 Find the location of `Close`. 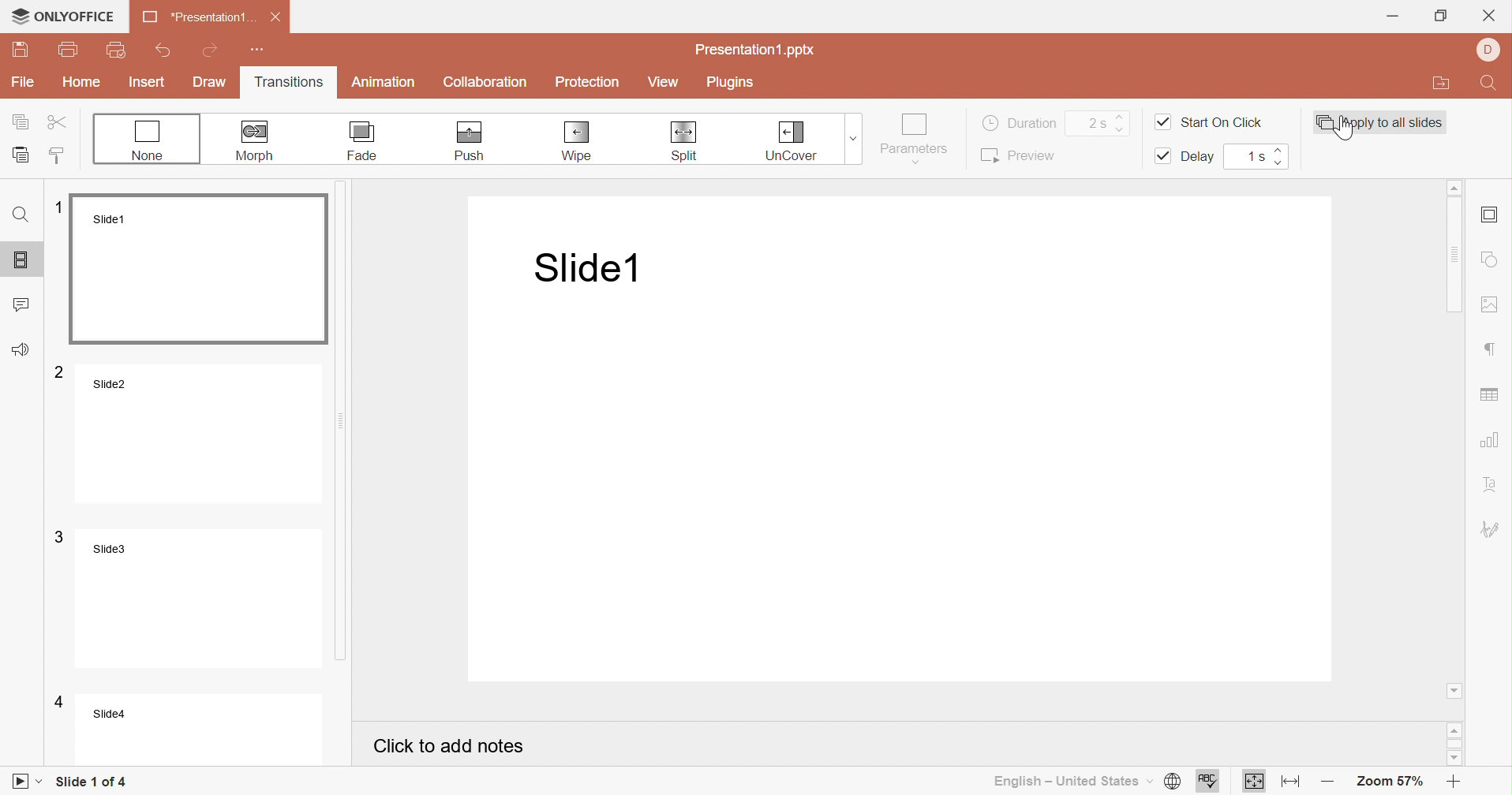

Close is located at coordinates (275, 17).